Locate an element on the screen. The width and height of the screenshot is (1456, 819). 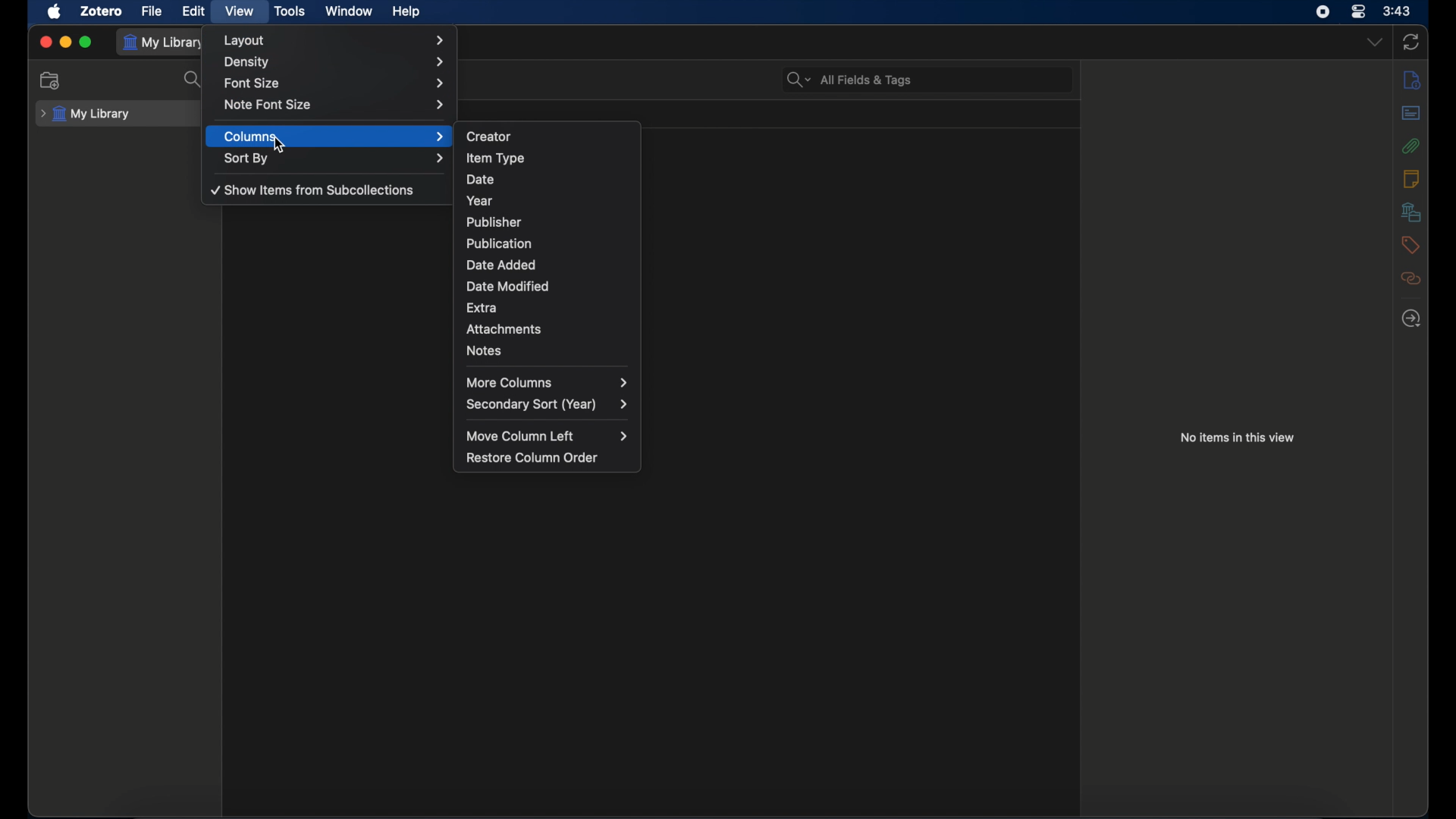
move column left is located at coordinates (547, 435).